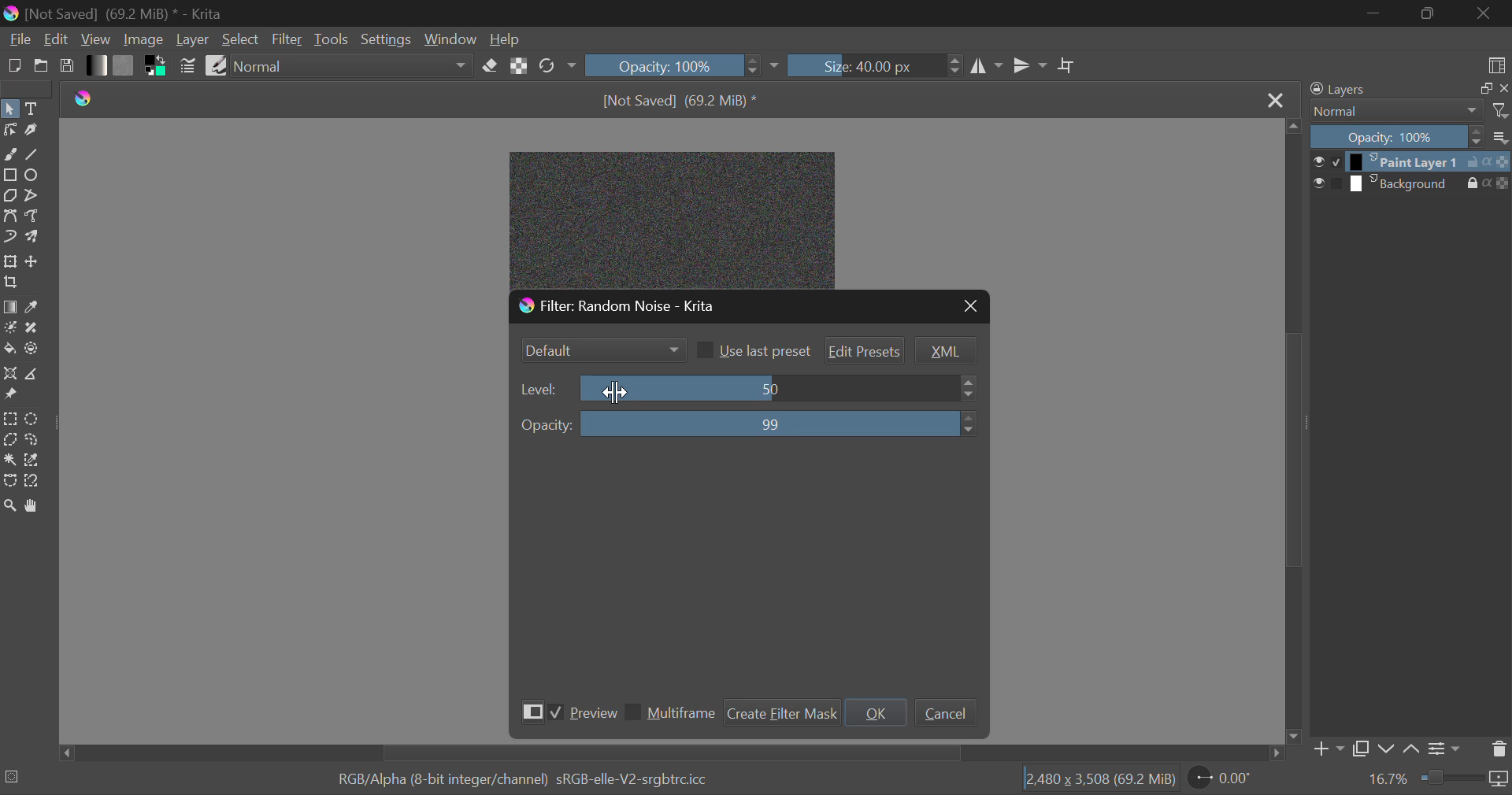 The height and width of the screenshot is (795, 1512). I want to click on Smart Patch Tool, so click(34, 329).